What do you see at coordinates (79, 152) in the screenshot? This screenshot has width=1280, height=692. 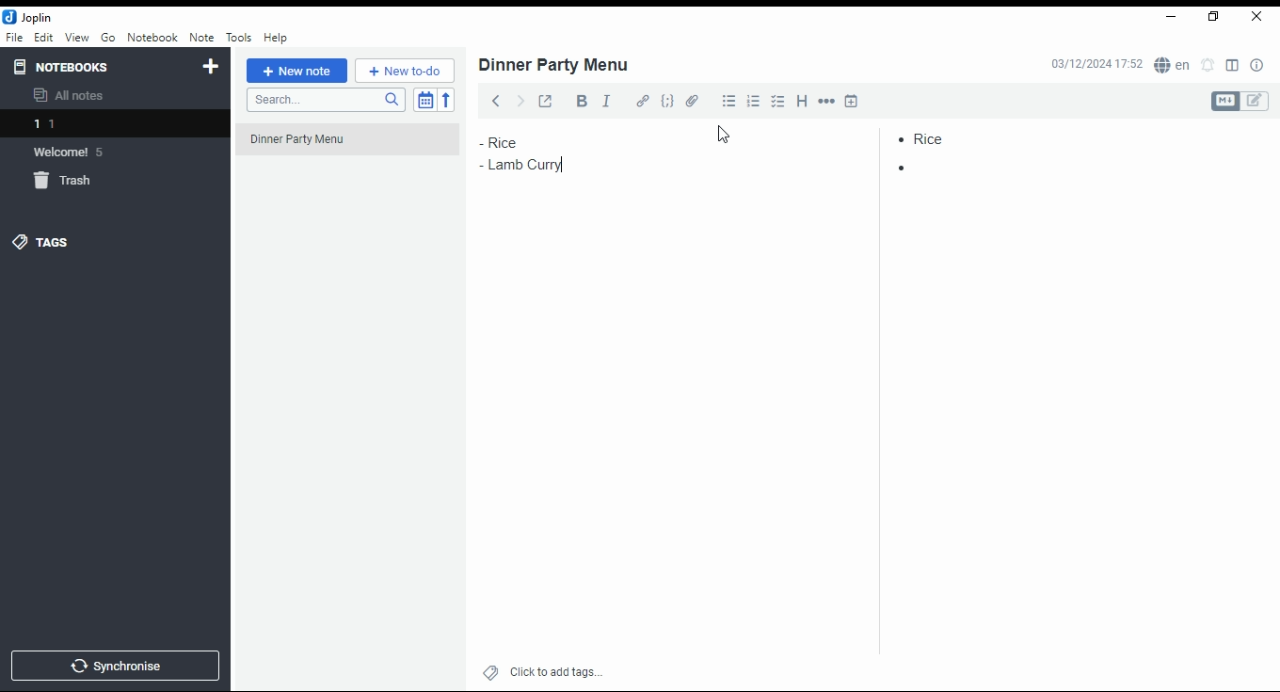 I see `Welcome 5` at bounding box center [79, 152].